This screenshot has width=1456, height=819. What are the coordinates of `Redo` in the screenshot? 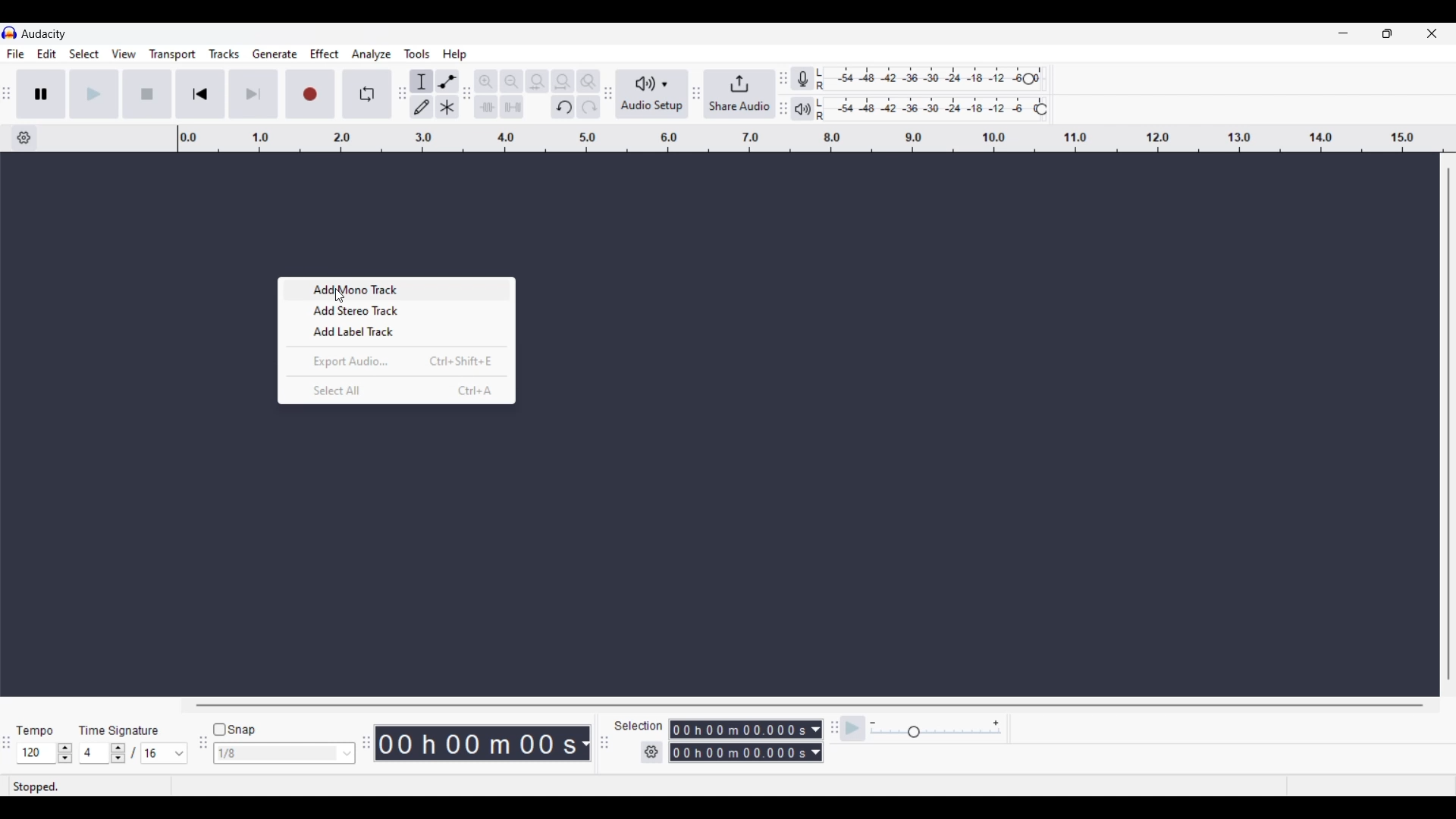 It's located at (588, 106).